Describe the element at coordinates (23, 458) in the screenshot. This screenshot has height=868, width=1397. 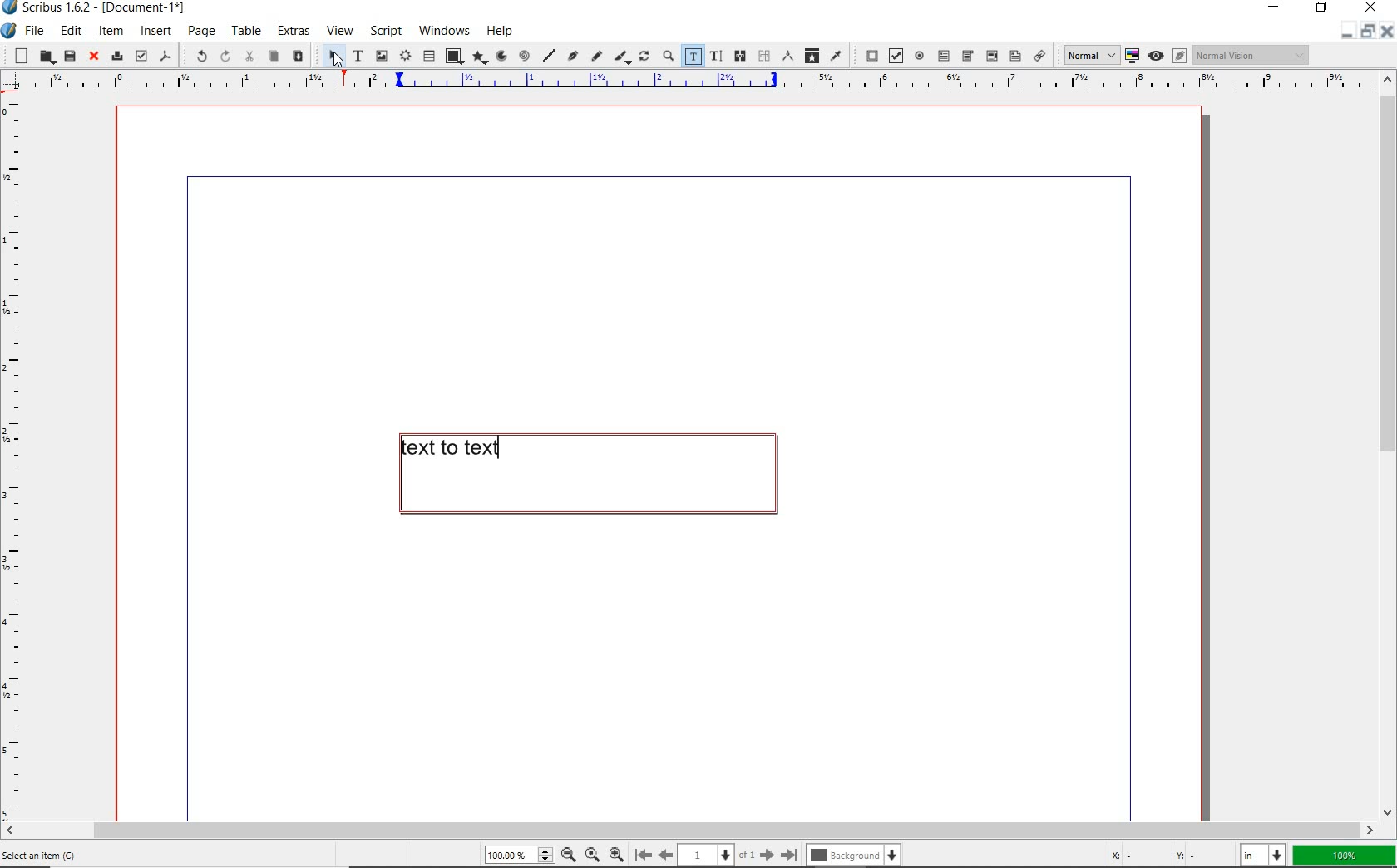
I see `Horizontal page margin` at that location.